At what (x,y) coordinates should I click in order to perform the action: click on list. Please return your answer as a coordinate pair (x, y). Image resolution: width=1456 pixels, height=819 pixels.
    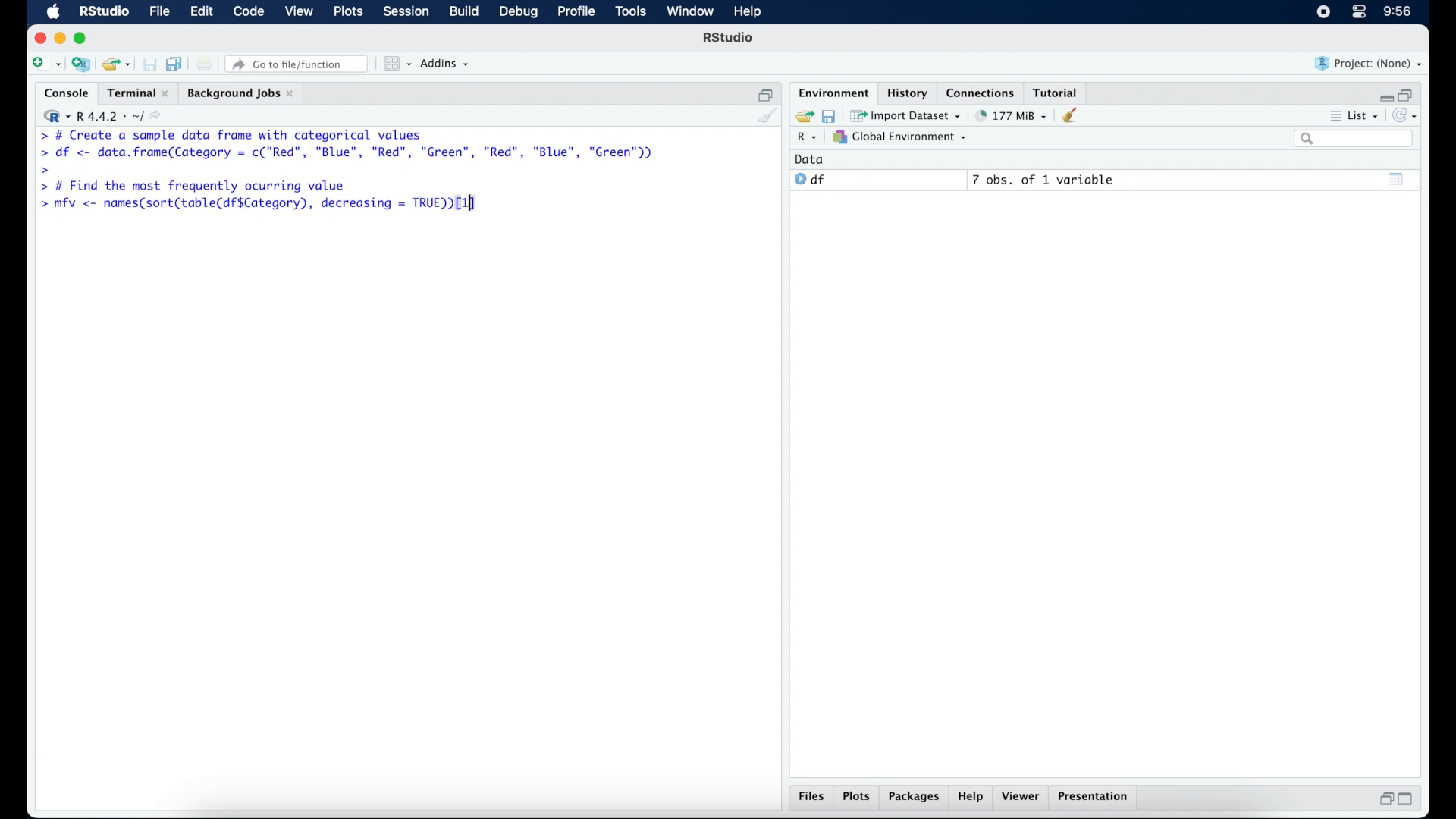
    Looking at the image, I should click on (1366, 115).